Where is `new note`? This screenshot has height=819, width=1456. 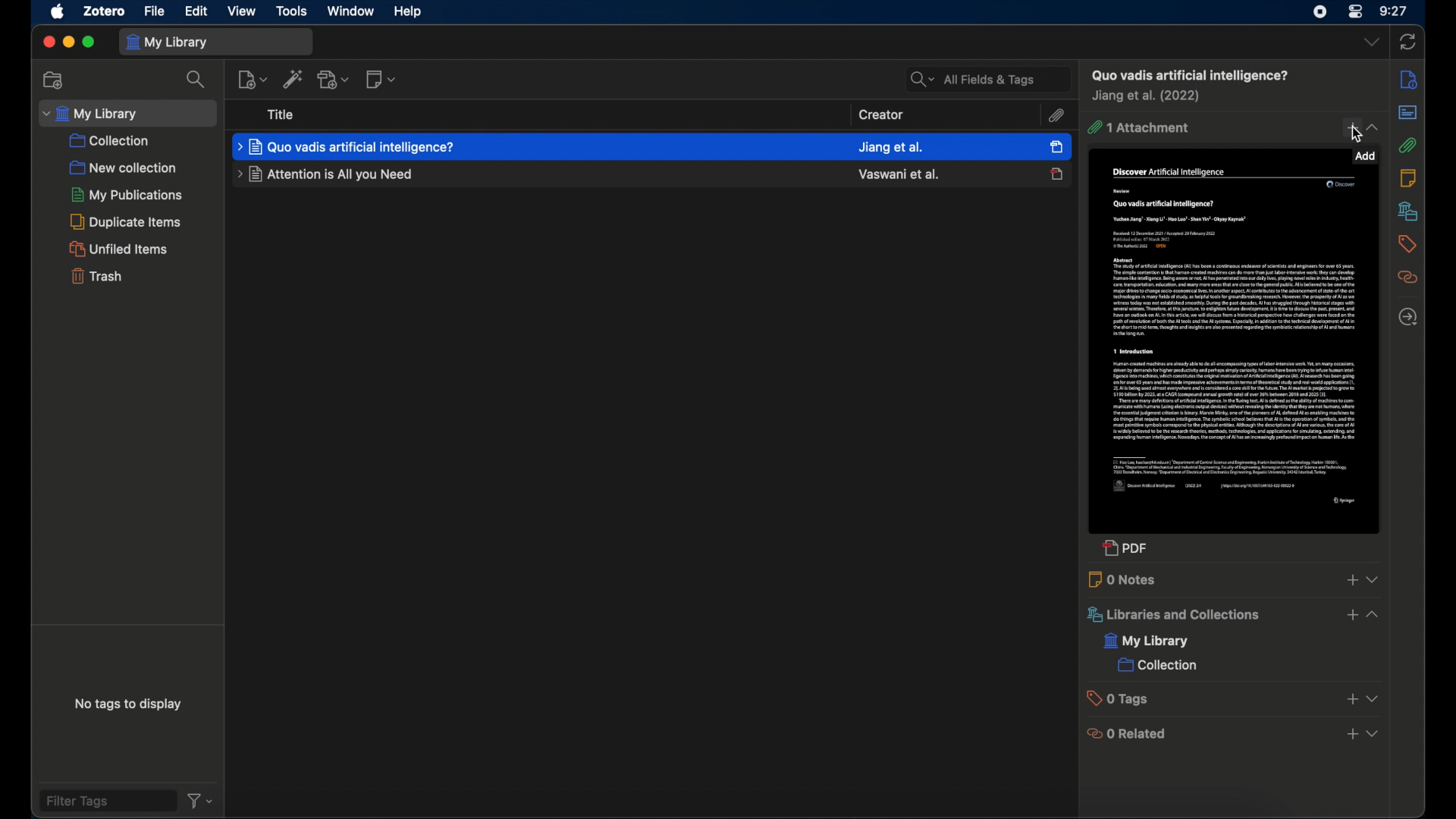
new note is located at coordinates (382, 80).